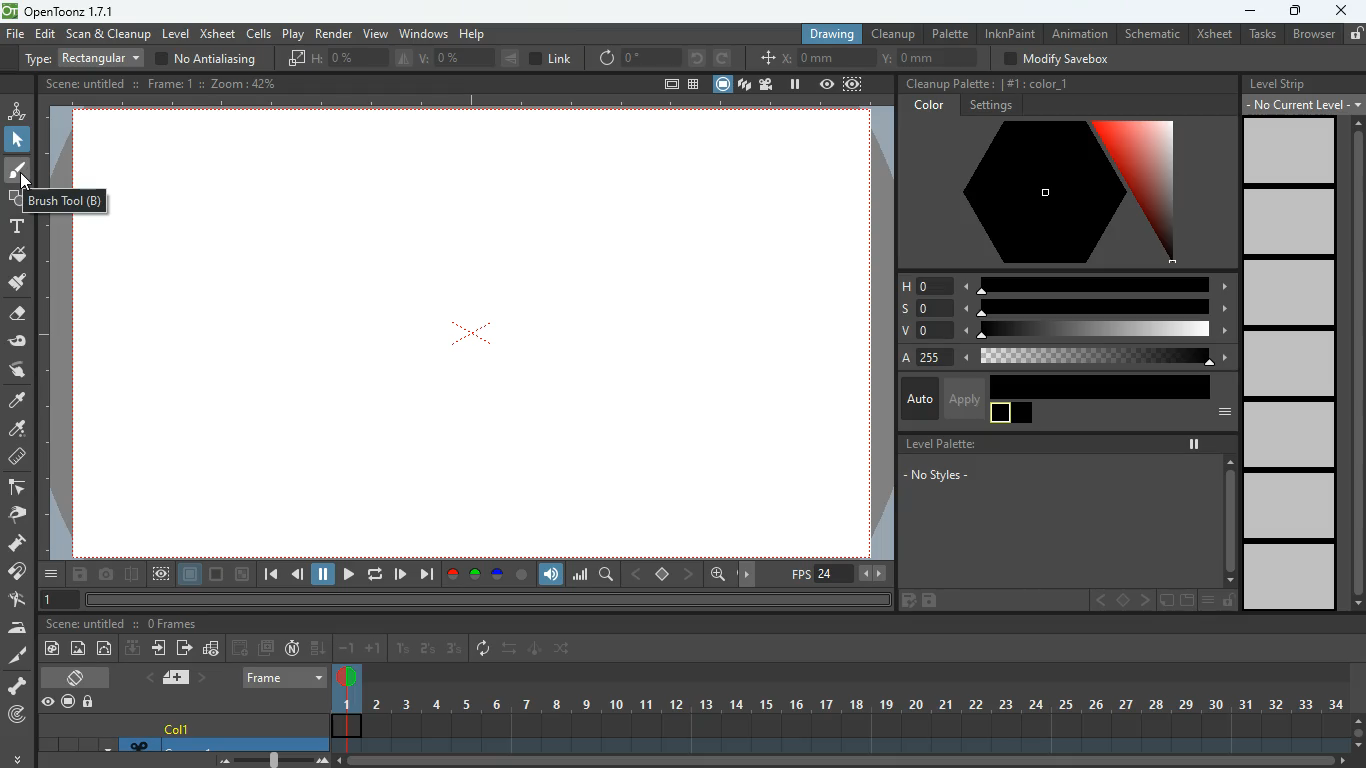 Image resolution: width=1366 pixels, height=768 pixels. I want to click on right, so click(750, 575).